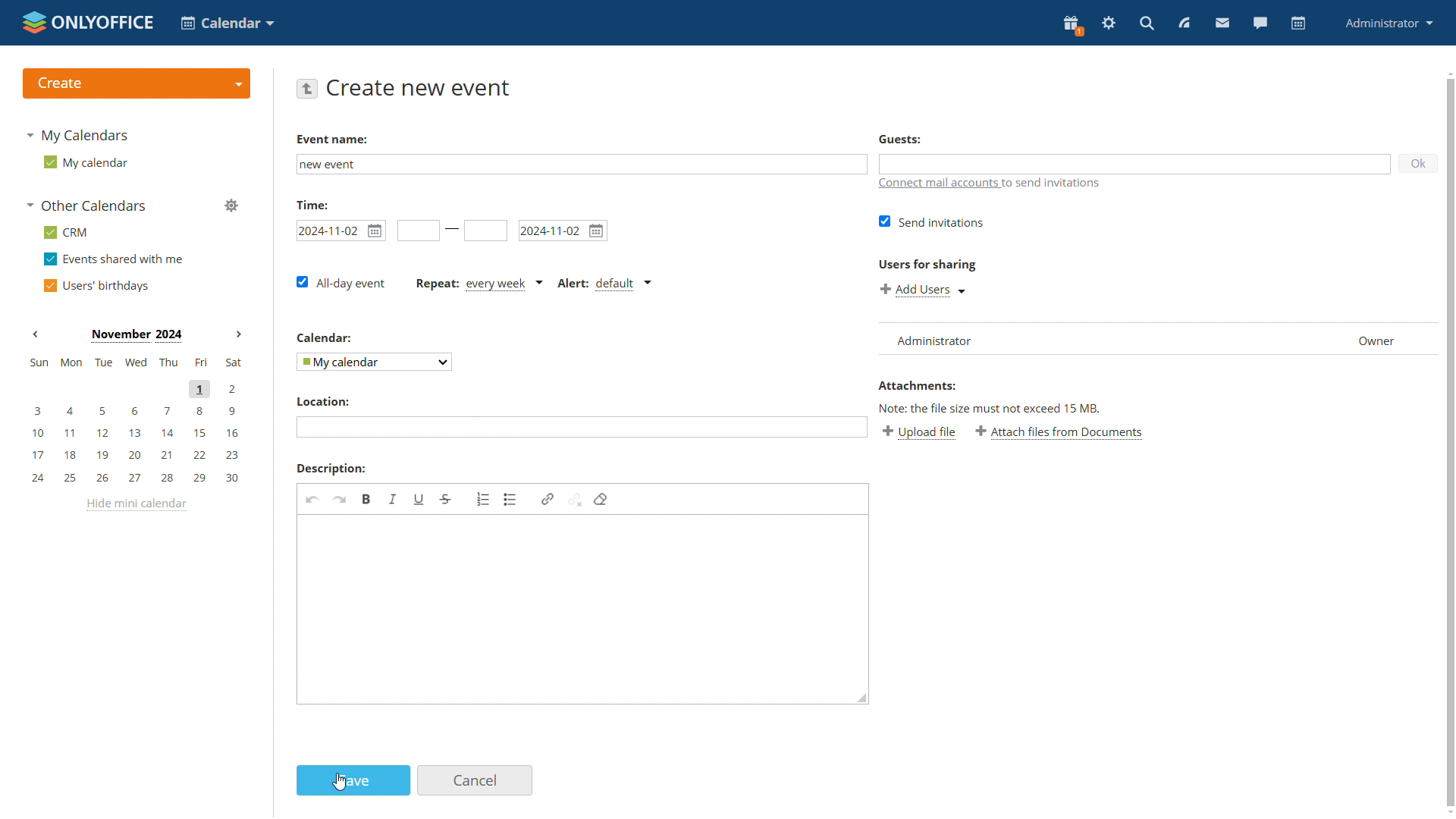  Describe the element at coordinates (86, 162) in the screenshot. I see `my calendar` at that location.